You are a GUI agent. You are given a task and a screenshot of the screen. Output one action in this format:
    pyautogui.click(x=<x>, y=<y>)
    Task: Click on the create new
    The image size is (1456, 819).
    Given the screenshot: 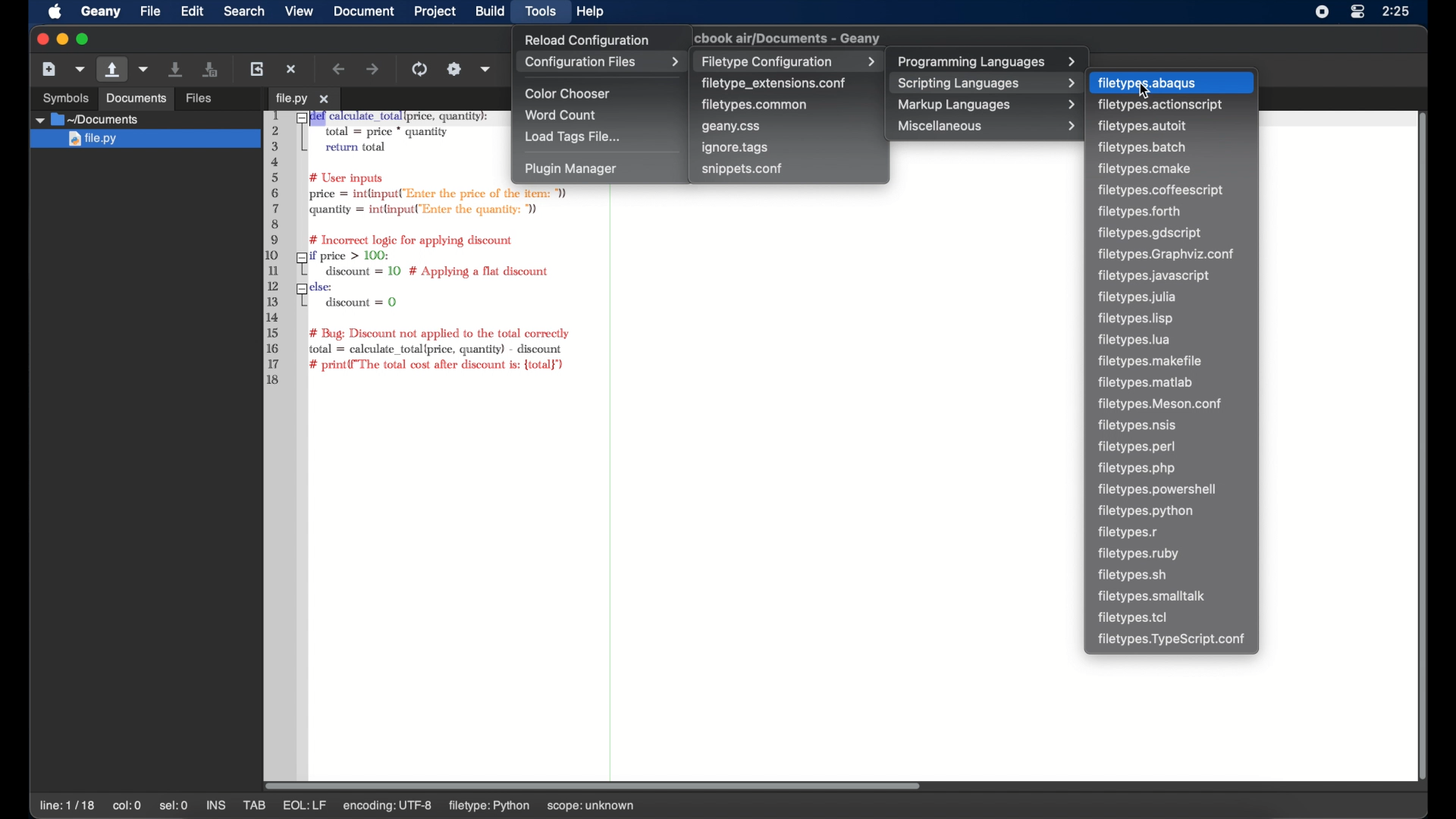 What is the action you would take?
    pyautogui.click(x=49, y=68)
    